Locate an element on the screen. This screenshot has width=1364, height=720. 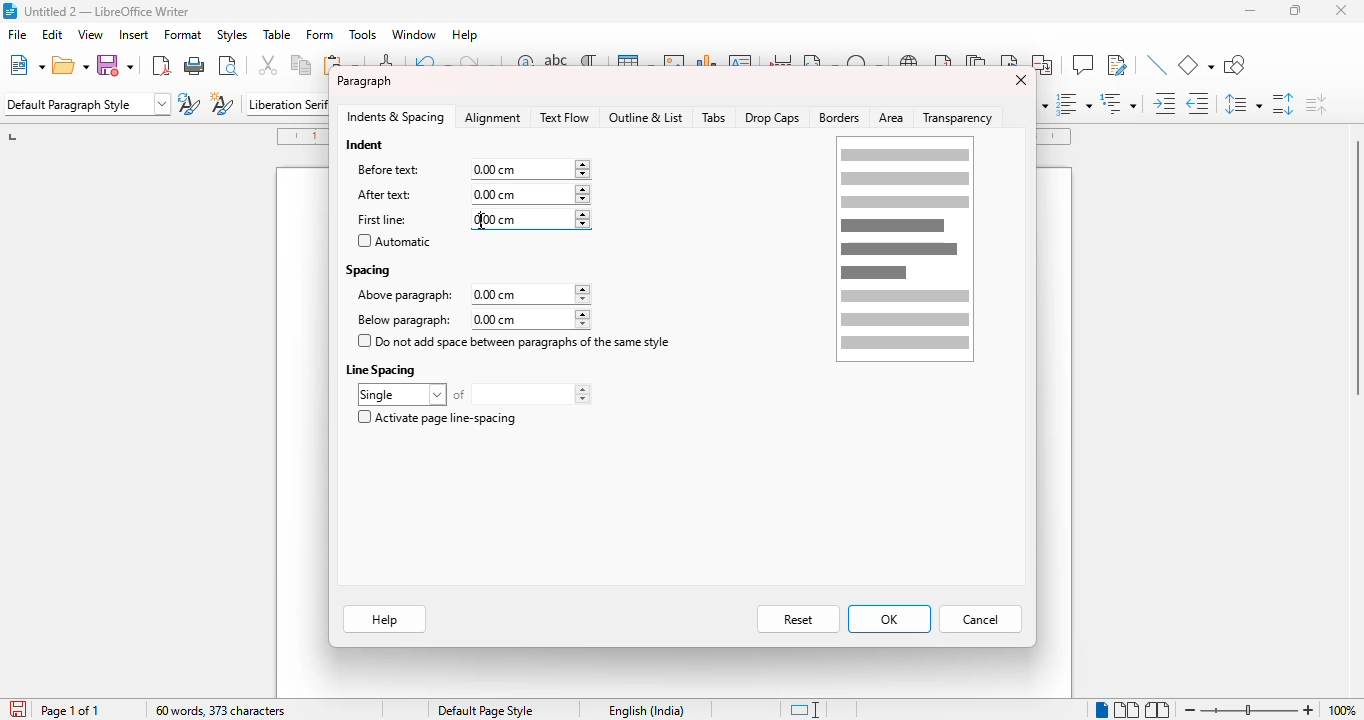
after text: 0.00 cm is located at coordinates (468, 194).